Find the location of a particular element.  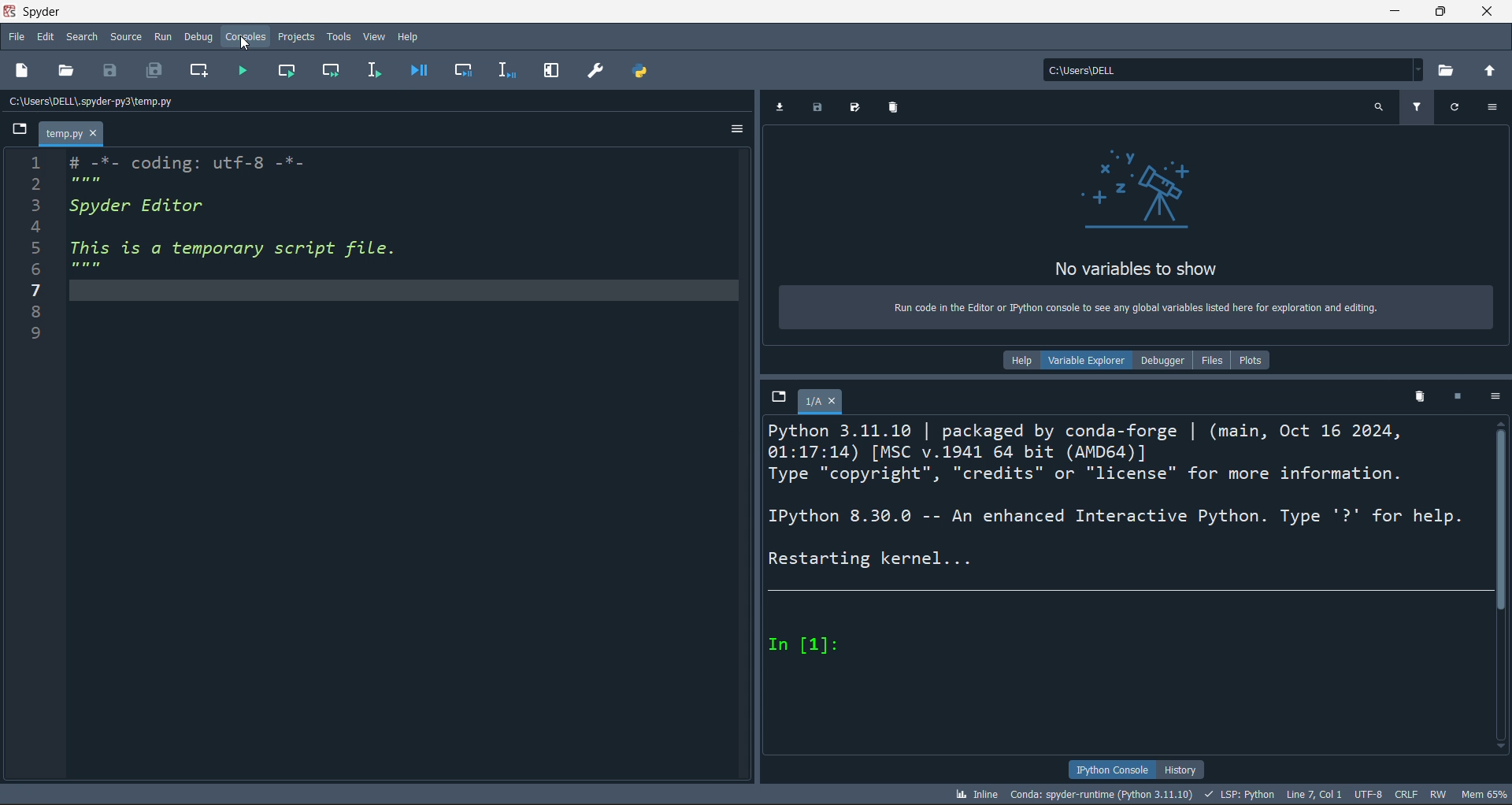

new file is located at coordinates (24, 71).